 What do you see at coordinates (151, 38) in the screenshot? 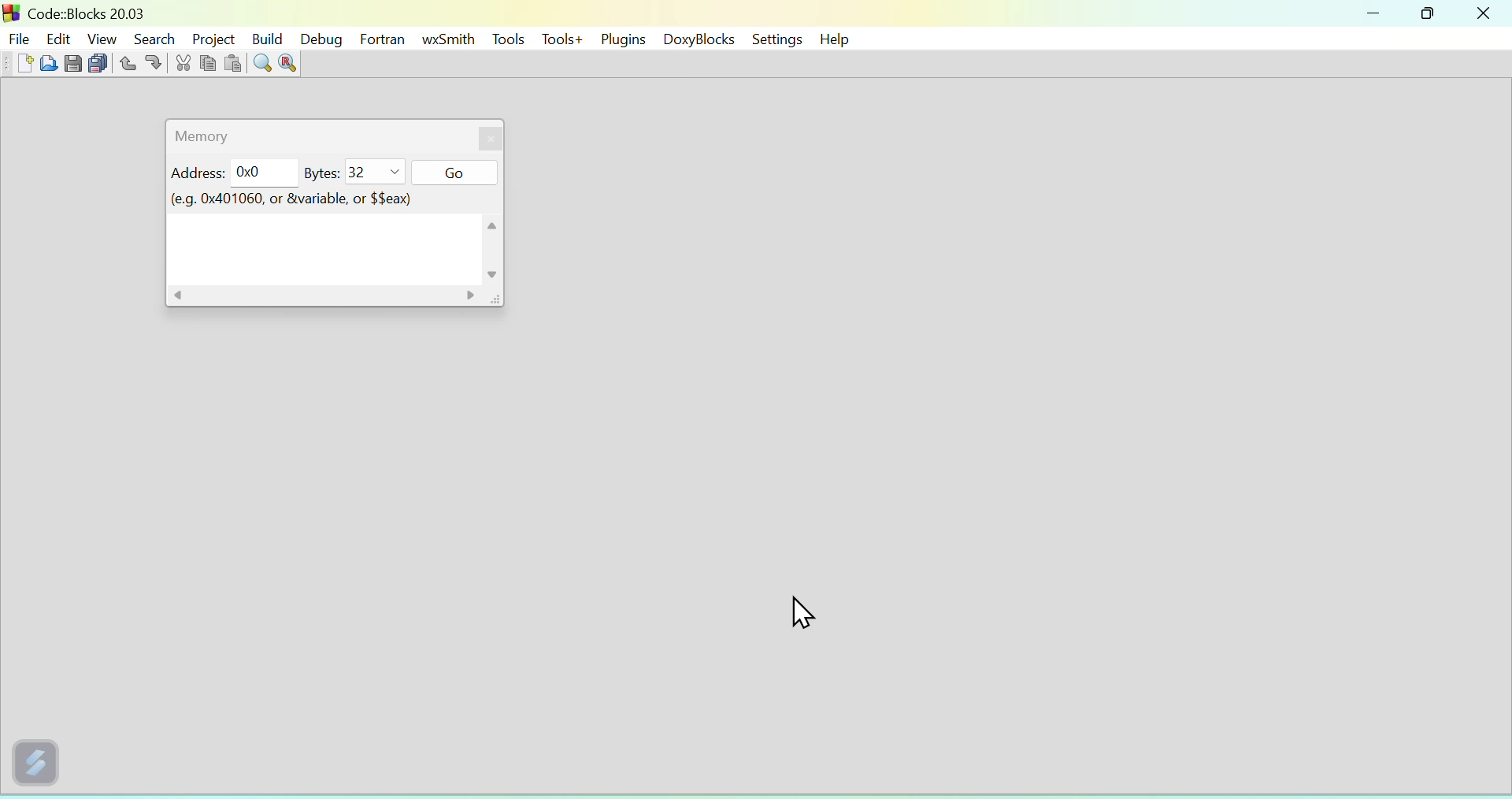
I see `Search` at bounding box center [151, 38].